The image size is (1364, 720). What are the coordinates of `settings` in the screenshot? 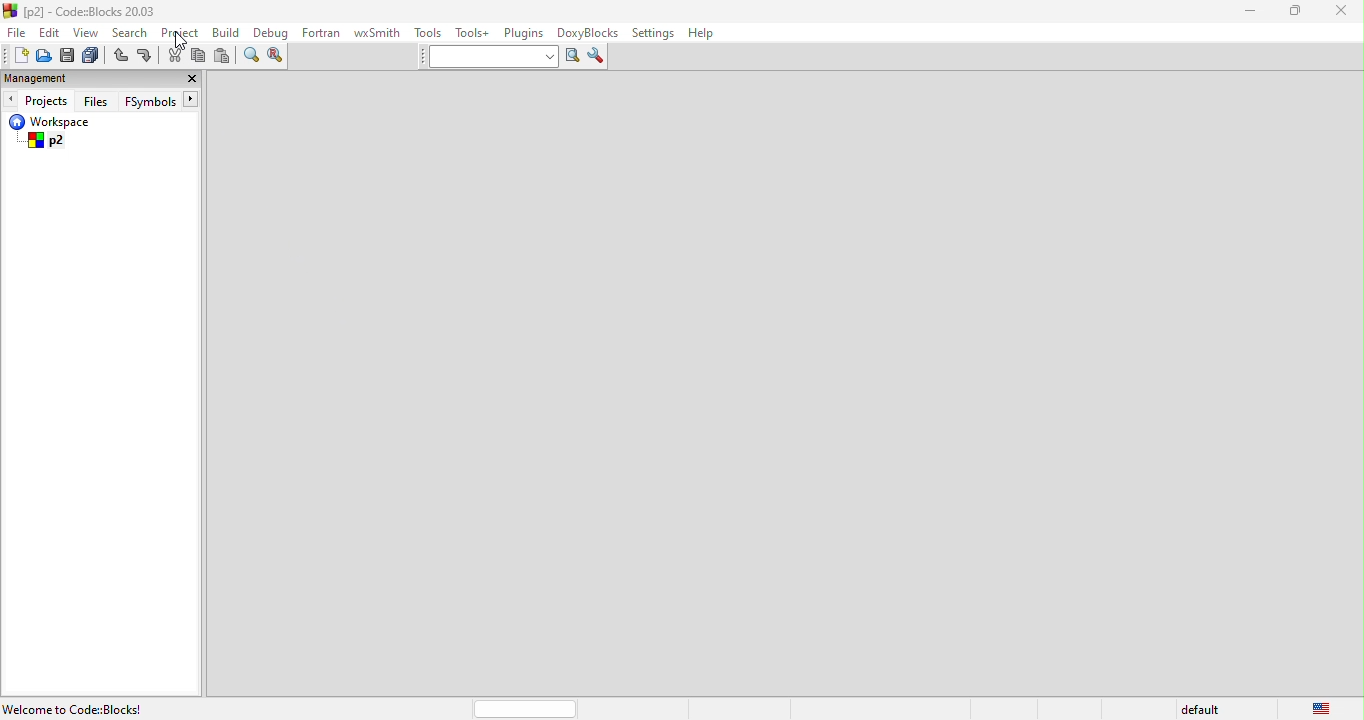 It's located at (652, 34).